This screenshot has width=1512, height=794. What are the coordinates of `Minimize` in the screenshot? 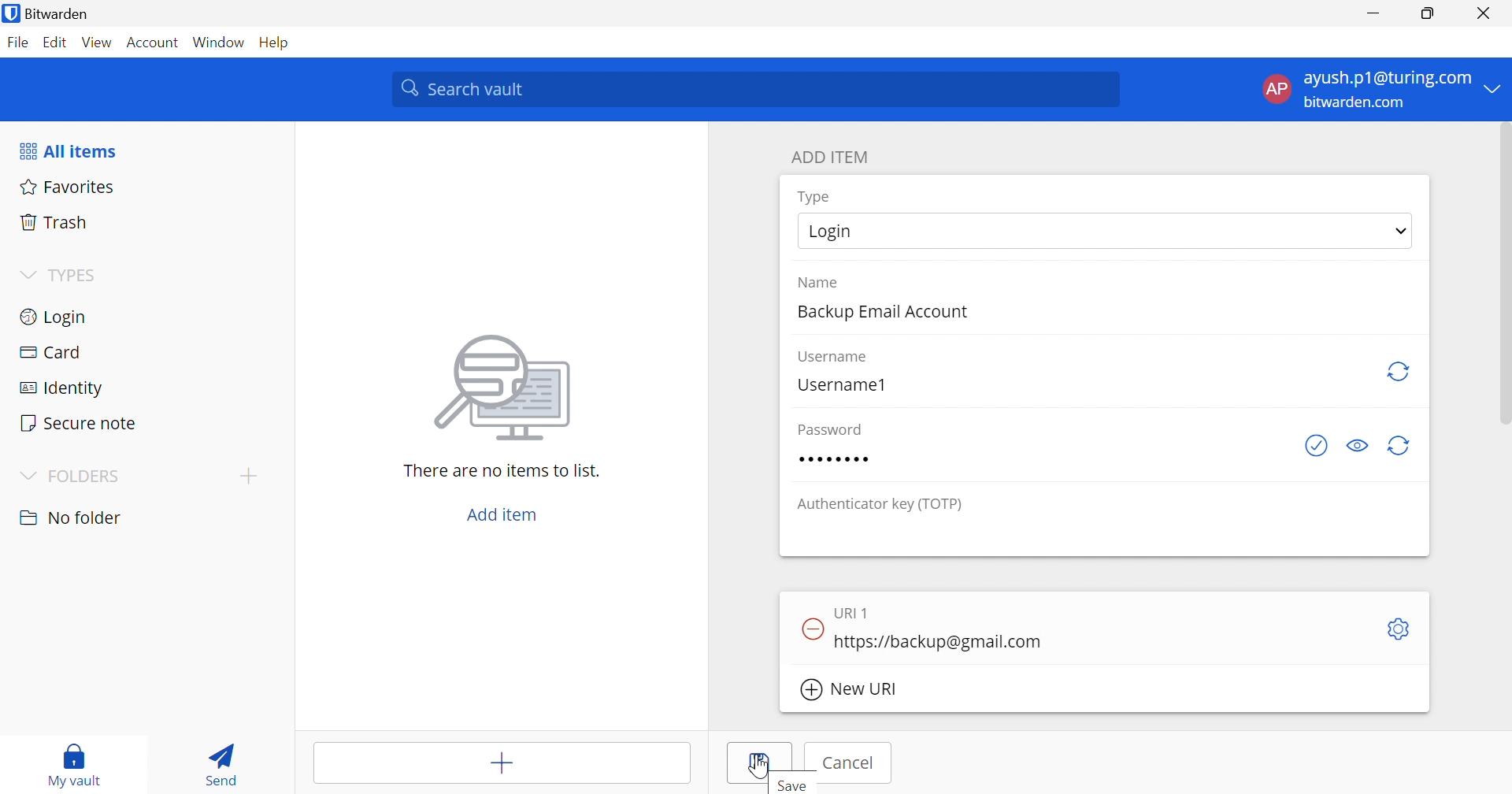 It's located at (1373, 13).